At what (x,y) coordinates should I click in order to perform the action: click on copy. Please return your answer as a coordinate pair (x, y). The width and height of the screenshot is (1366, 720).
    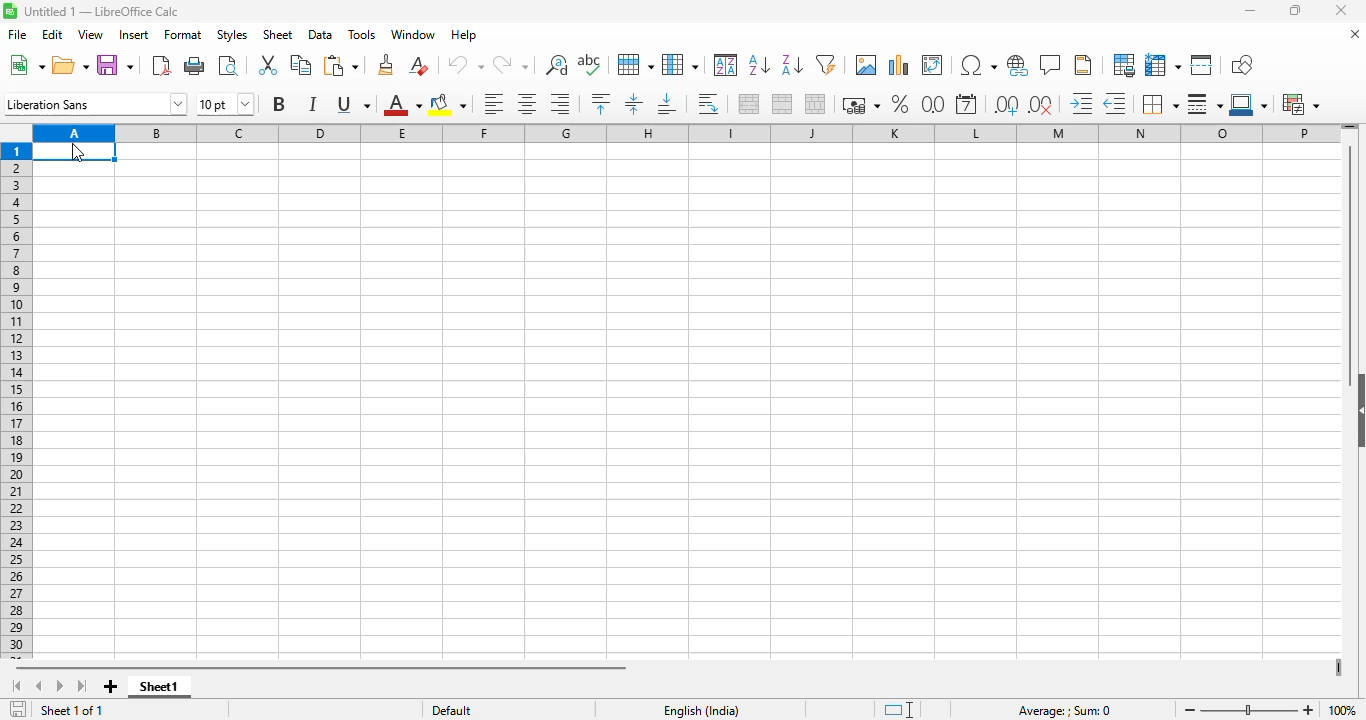
    Looking at the image, I should click on (301, 65).